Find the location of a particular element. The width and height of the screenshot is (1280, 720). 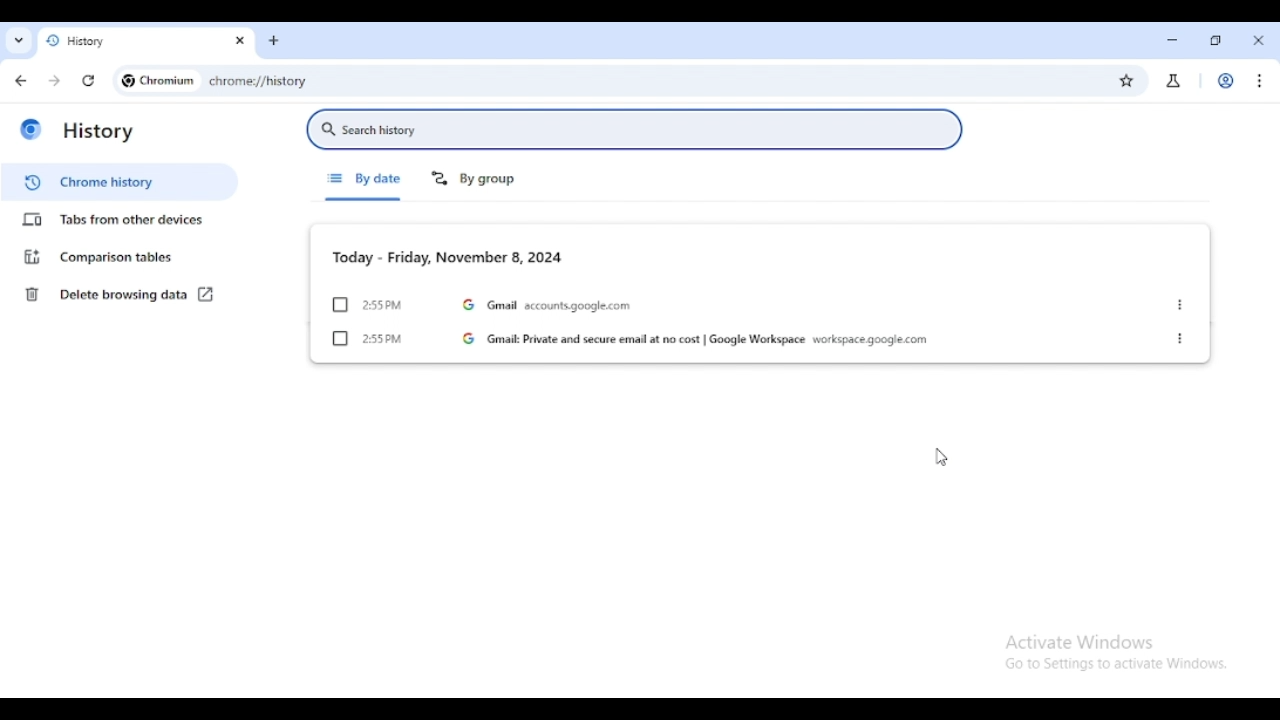

search history is located at coordinates (634, 129).